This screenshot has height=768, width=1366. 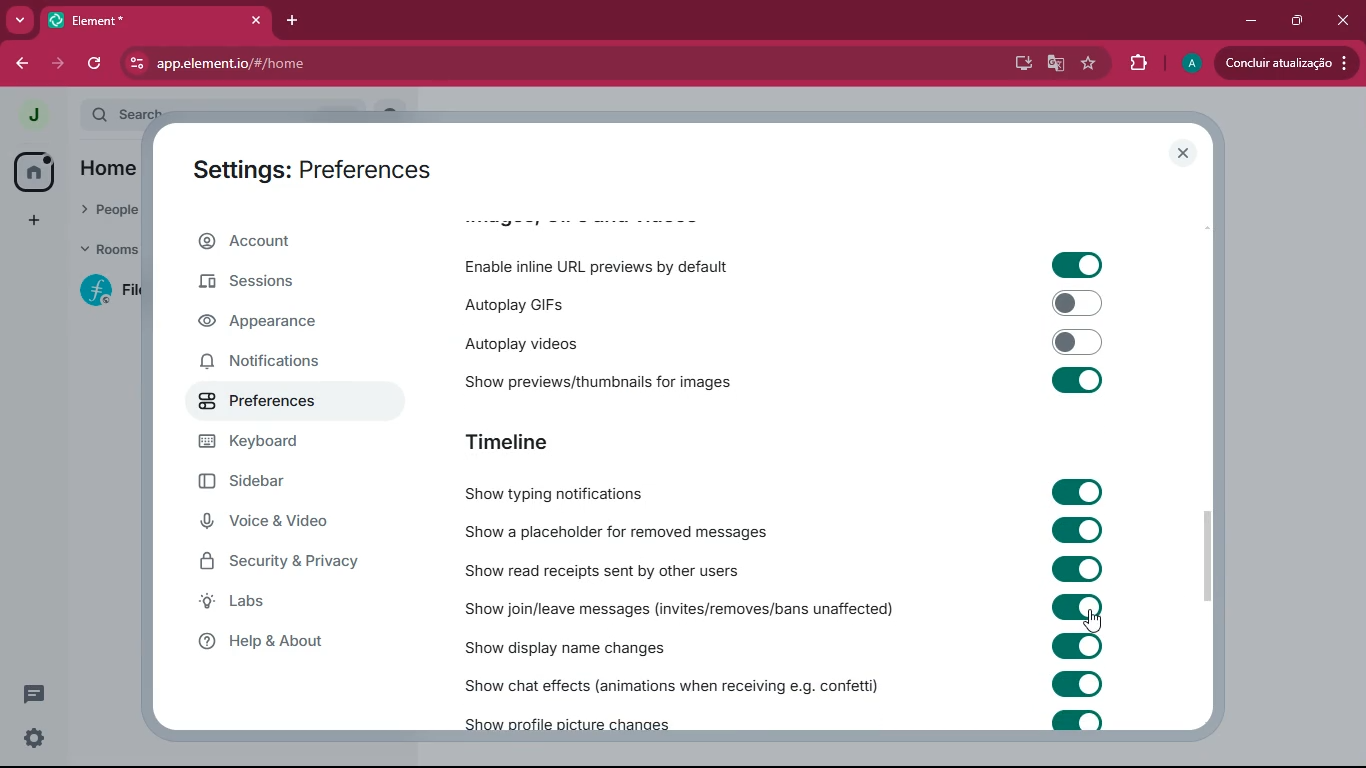 What do you see at coordinates (1077, 265) in the screenshot?
I see `toggle on/off` at bounding box center [1077, 265].